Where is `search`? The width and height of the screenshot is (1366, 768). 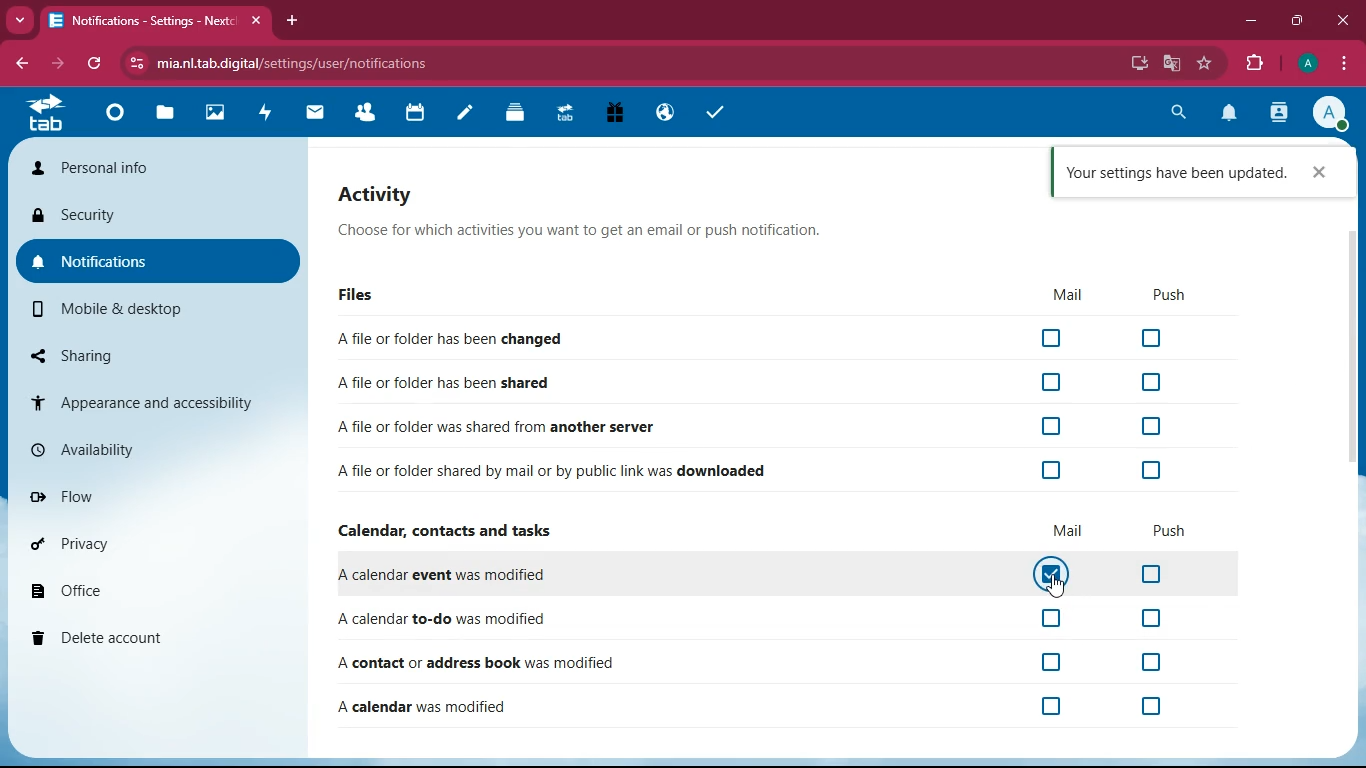
search is located at coordinates (1177, 114).